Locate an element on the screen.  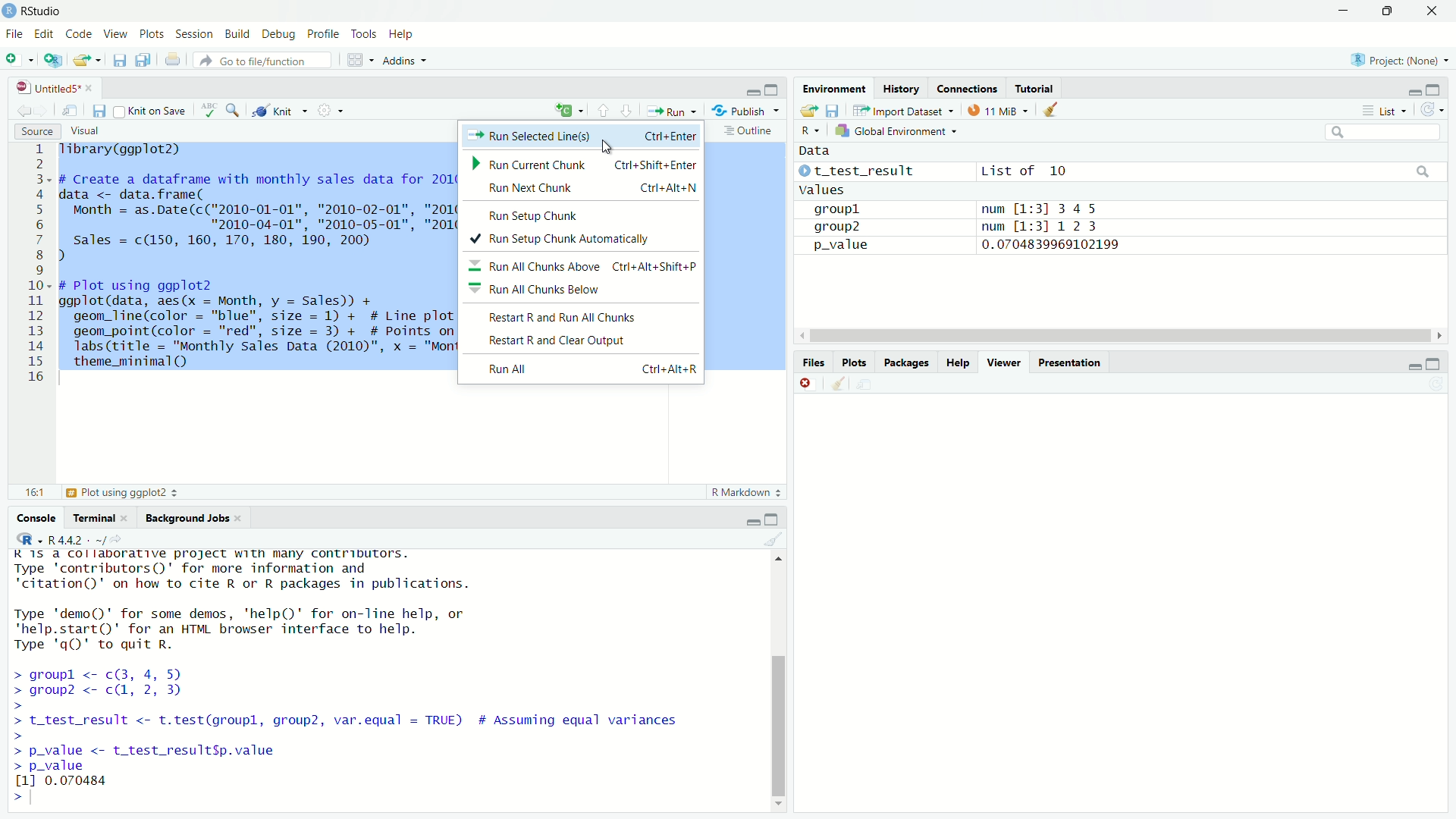
Session is located at coordinates (196, 33).